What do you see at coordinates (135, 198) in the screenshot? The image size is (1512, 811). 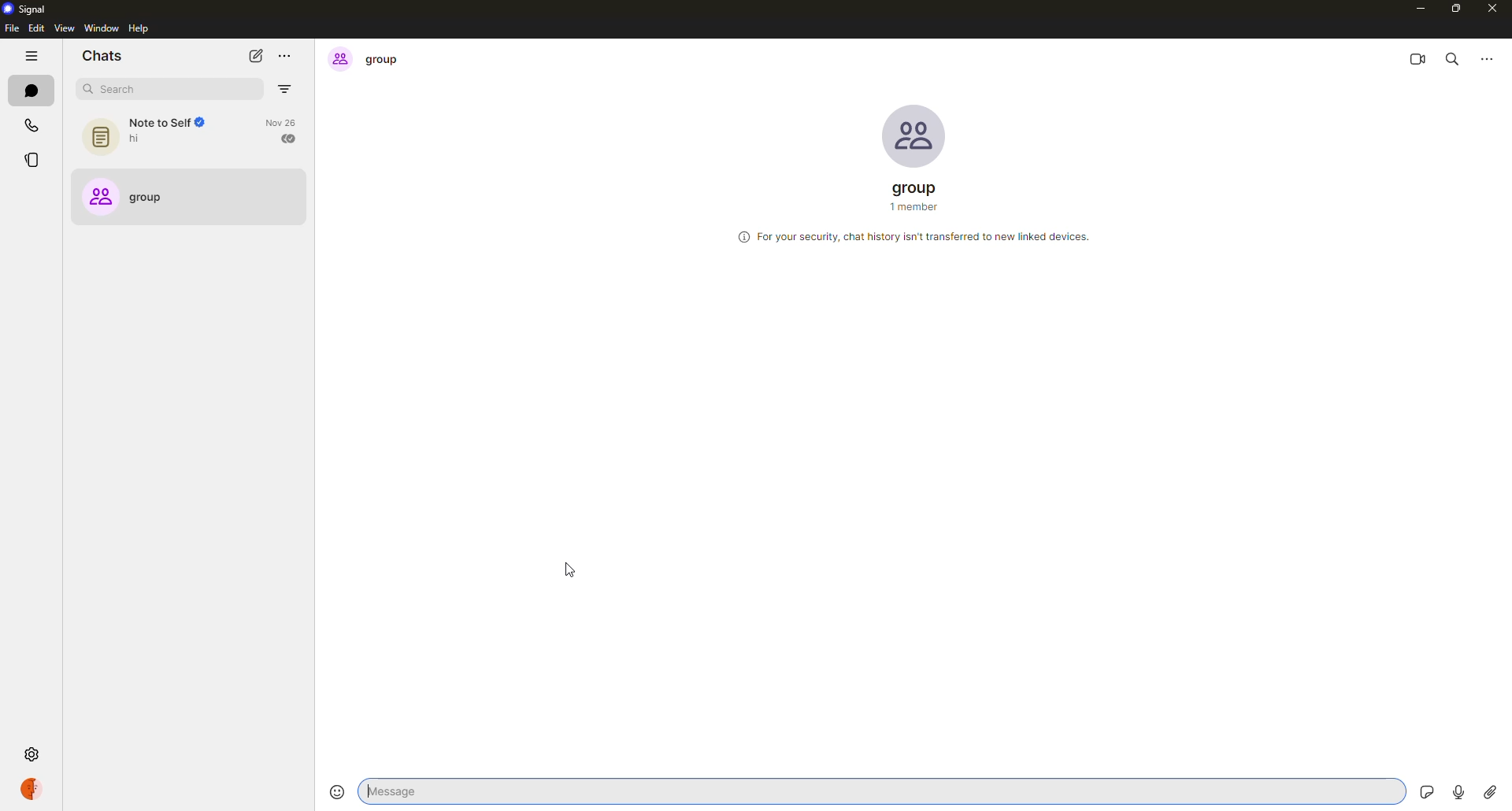 I see `group selected` at bounding box center [135, 198].